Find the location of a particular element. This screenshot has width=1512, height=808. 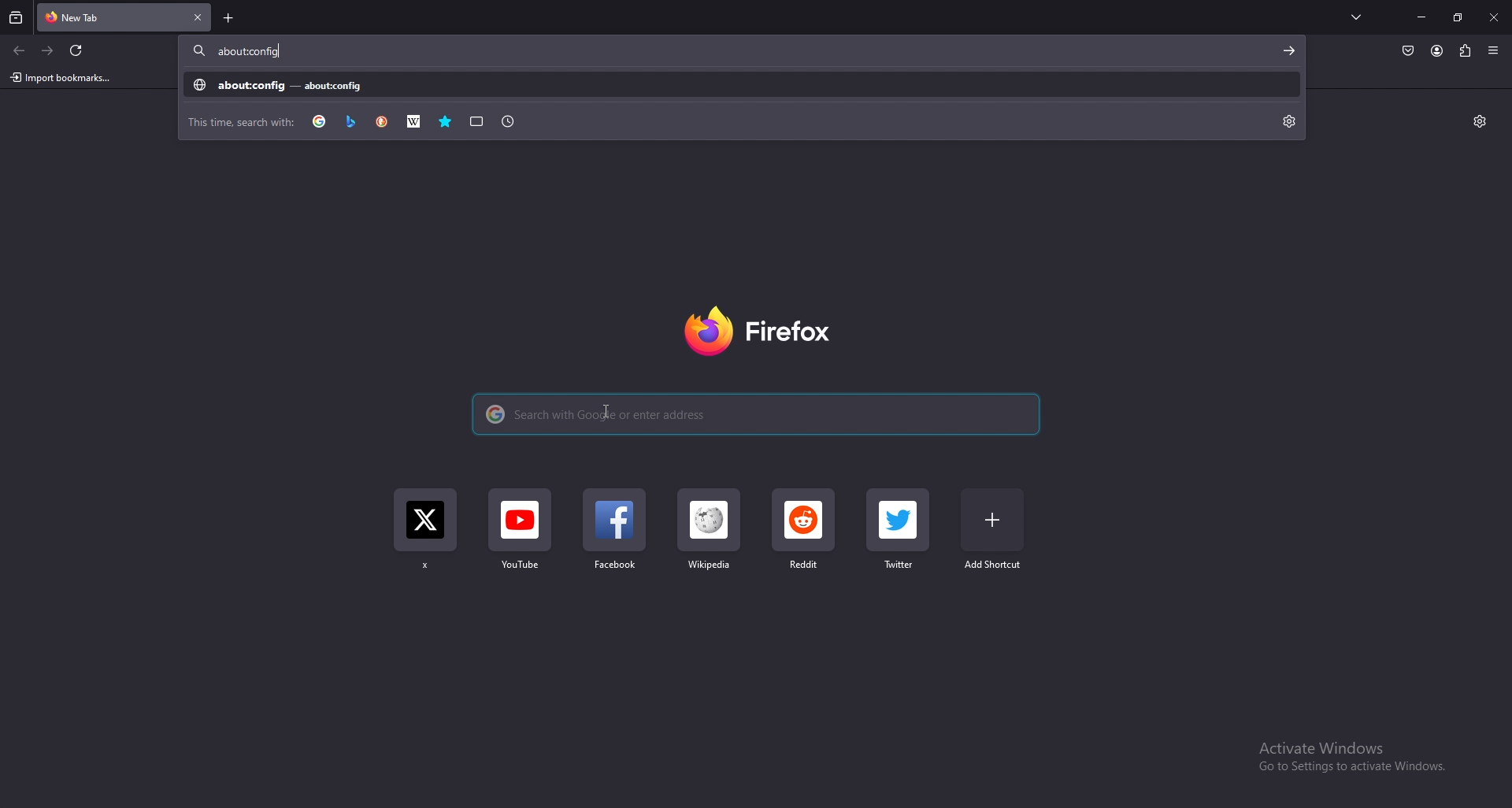

twitter is located at coordinates (900, 532).